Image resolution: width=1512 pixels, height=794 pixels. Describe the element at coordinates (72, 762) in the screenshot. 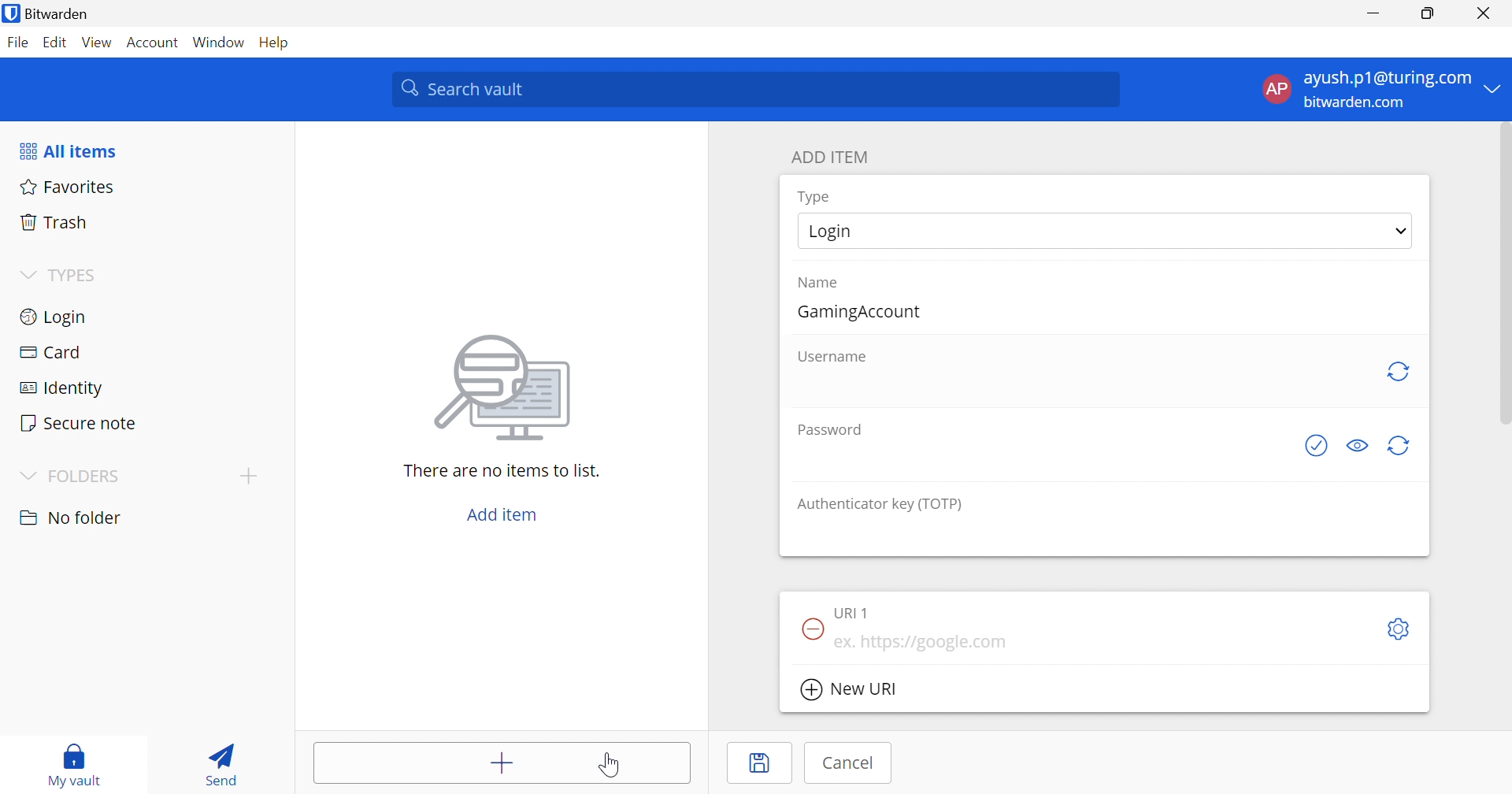

I see `My vault` at that location.